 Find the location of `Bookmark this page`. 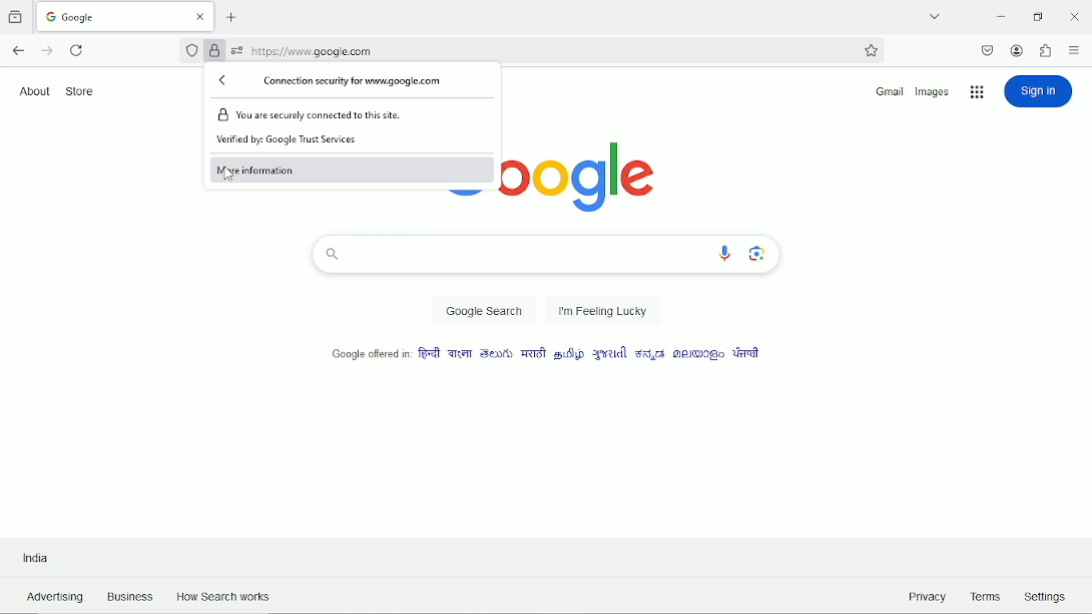

Bookmark this page is located at coordinates (871, 51).